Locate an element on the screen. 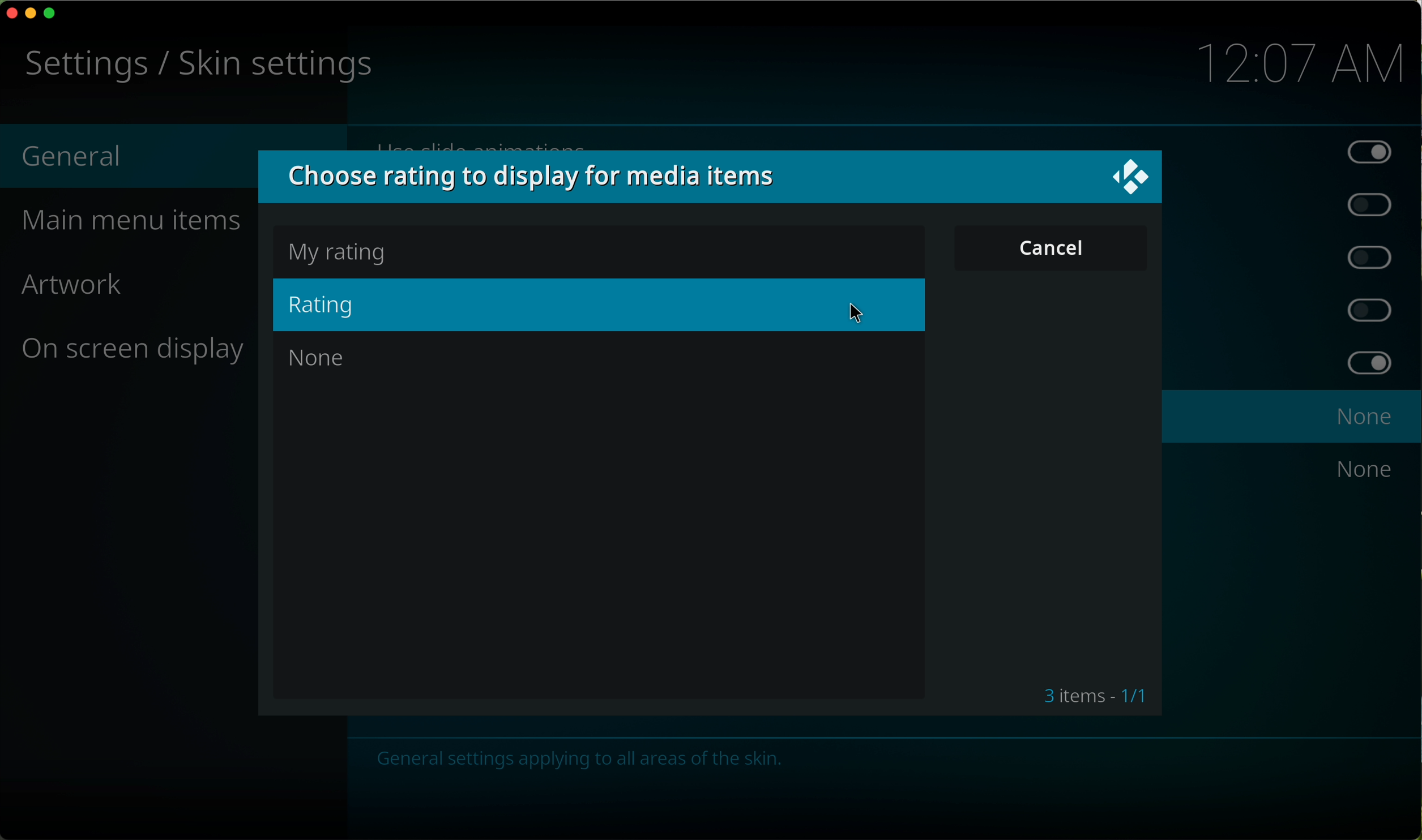 The image size is (1422, 840). show weather info in top bar is located at coordinates (1370, 312).